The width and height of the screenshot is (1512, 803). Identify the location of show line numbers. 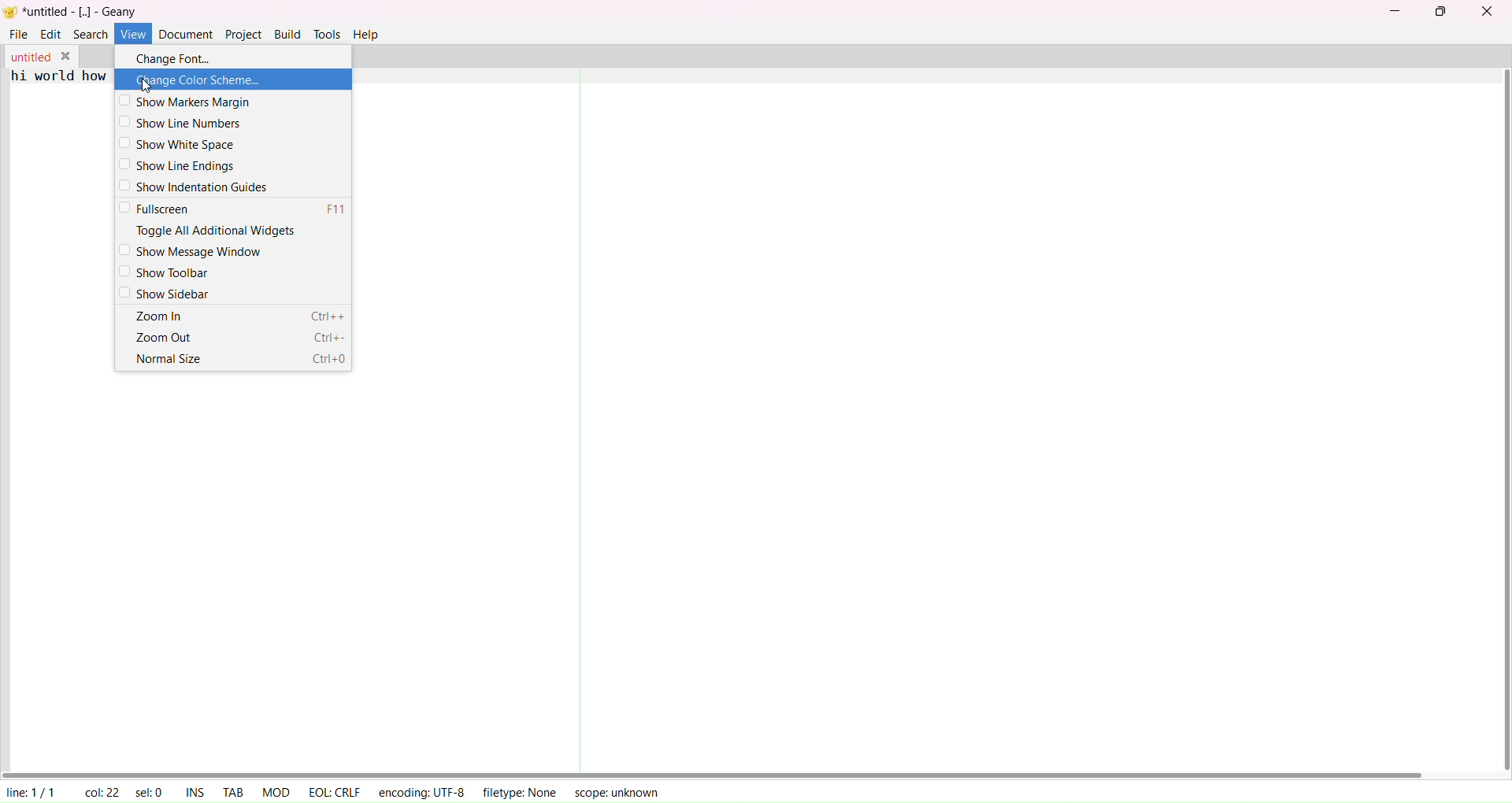
(183, 124).